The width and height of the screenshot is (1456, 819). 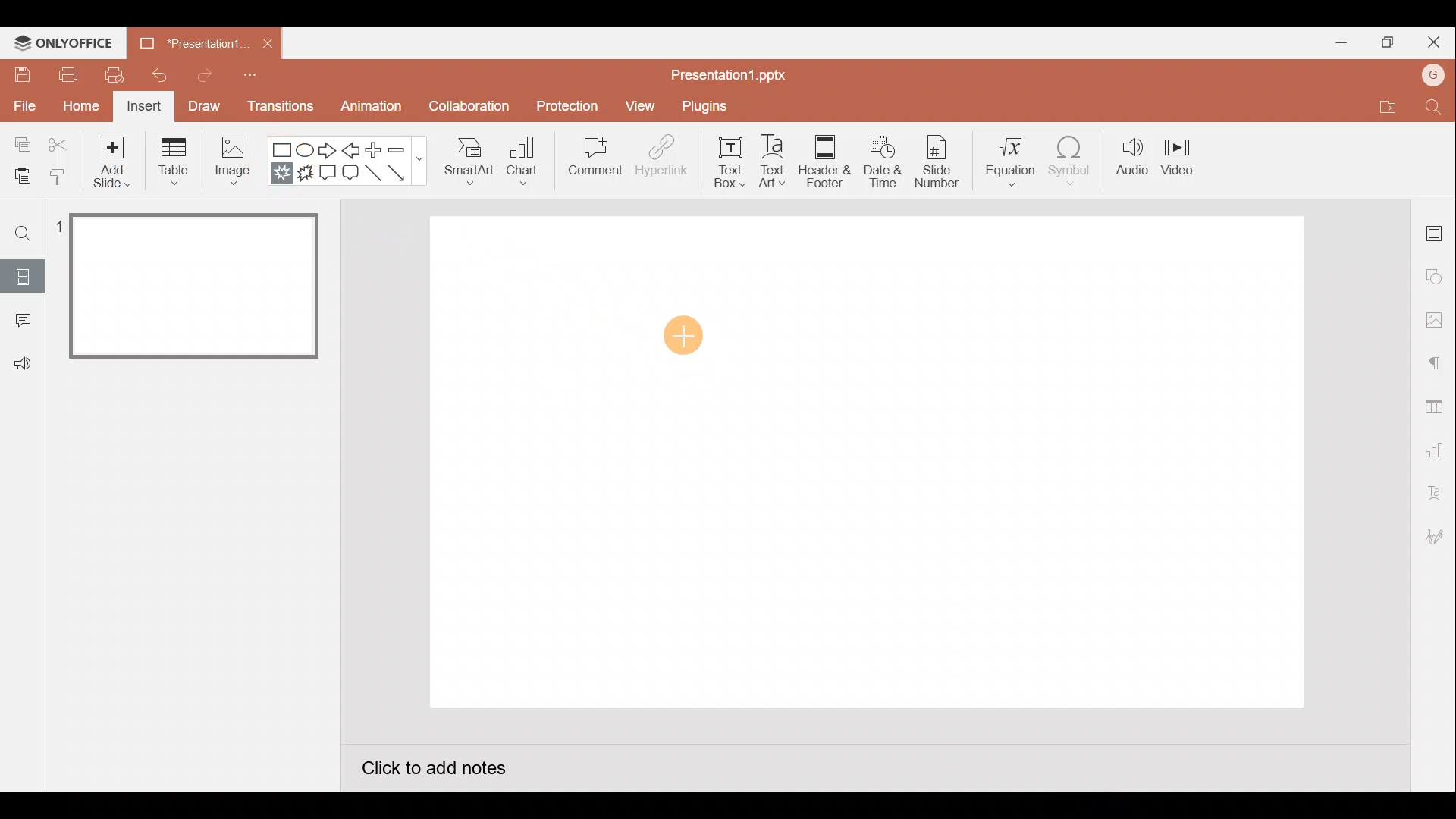 What do you see at coordinates (352, 149) in the screenshot?
I see `Left arrow` at bounding box center [352, 149].